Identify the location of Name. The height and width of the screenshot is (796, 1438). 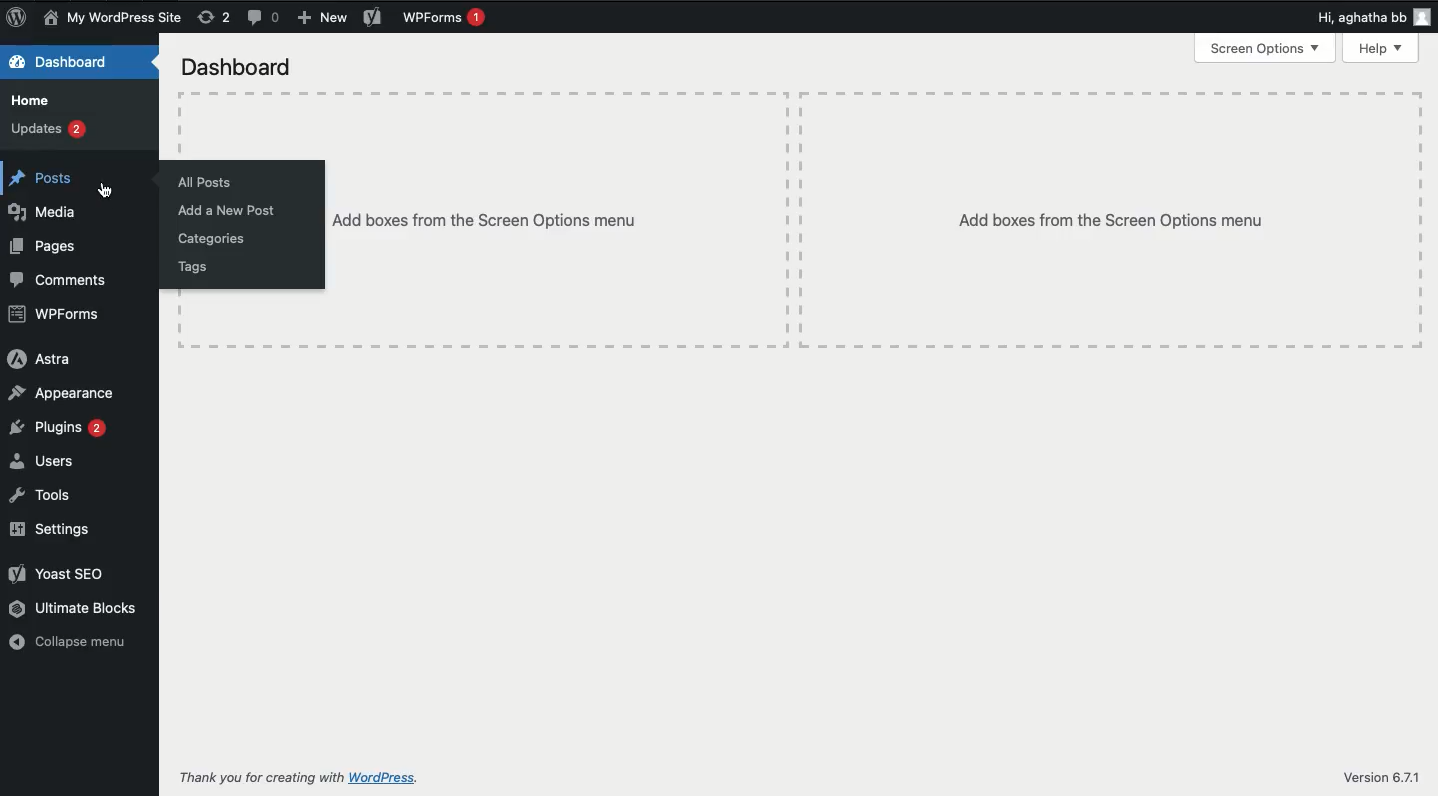
(113, 18).